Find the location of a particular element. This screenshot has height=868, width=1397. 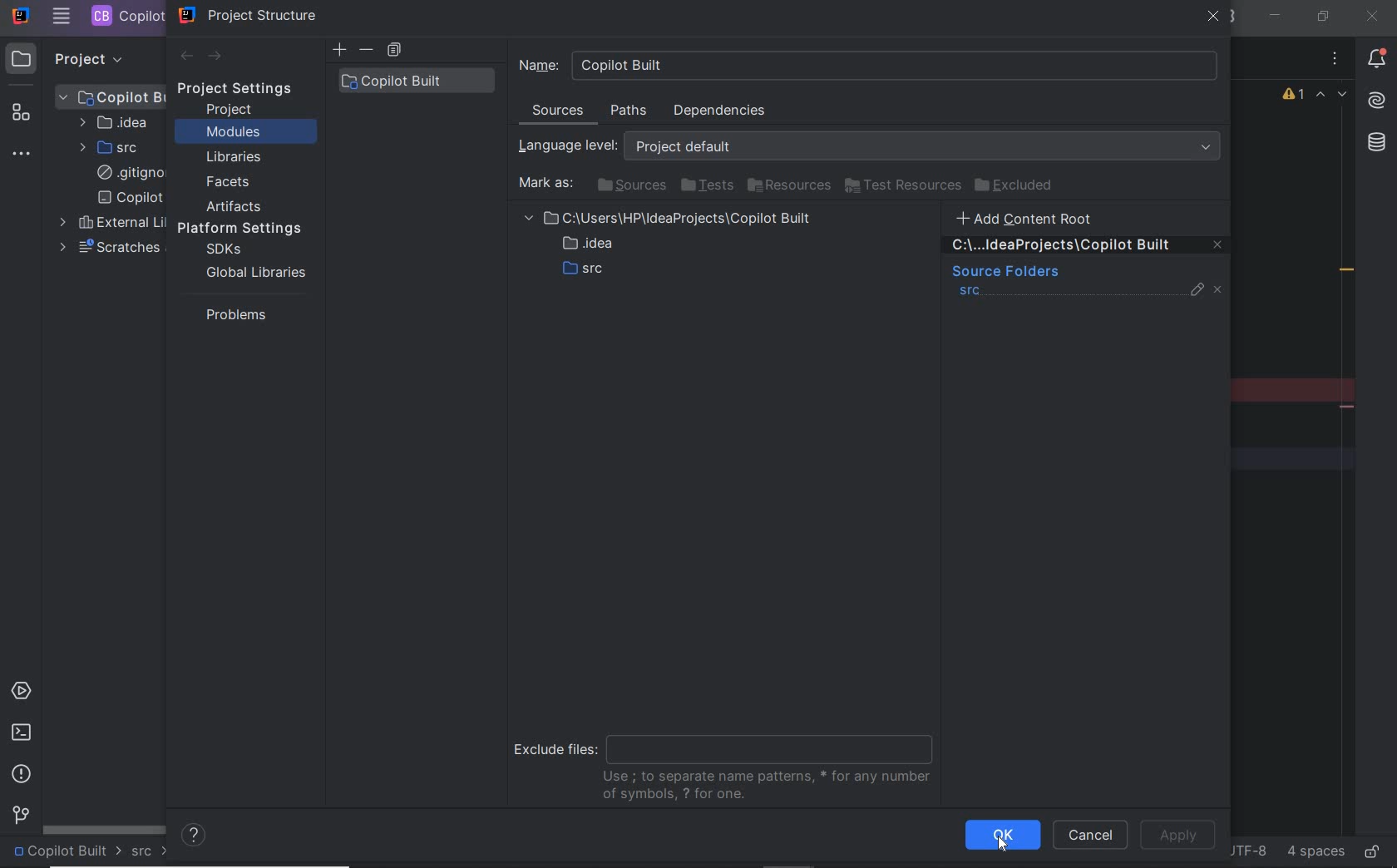

redundant call is located at coordinates (1347, 272).